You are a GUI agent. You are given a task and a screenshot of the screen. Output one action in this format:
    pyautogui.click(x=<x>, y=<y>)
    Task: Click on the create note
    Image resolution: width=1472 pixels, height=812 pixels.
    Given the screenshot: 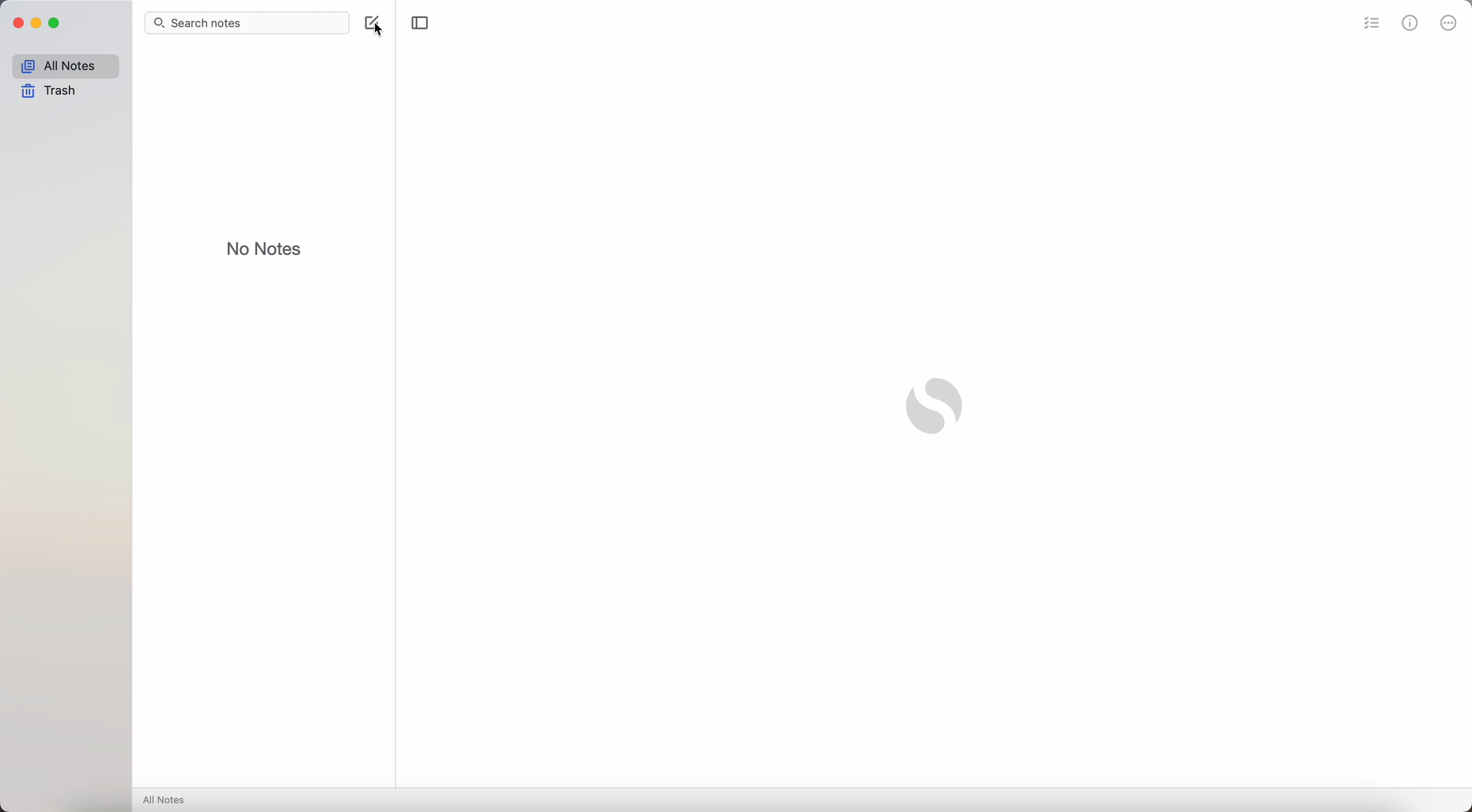 What is the action you would take?
    pyautogui.click(x=374, y=25)
    